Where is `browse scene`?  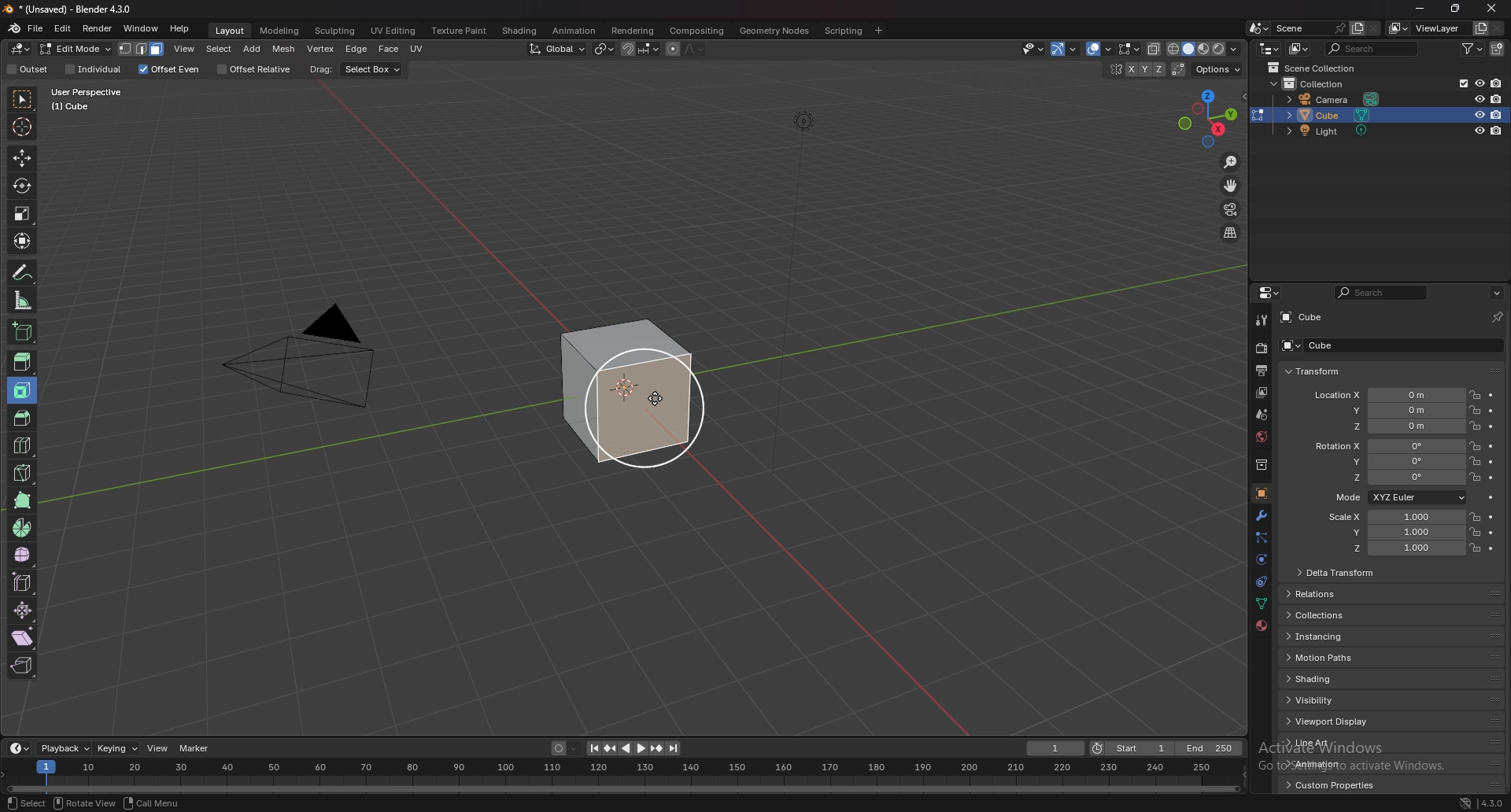 browse scene is located at coordinates (1258, 28).